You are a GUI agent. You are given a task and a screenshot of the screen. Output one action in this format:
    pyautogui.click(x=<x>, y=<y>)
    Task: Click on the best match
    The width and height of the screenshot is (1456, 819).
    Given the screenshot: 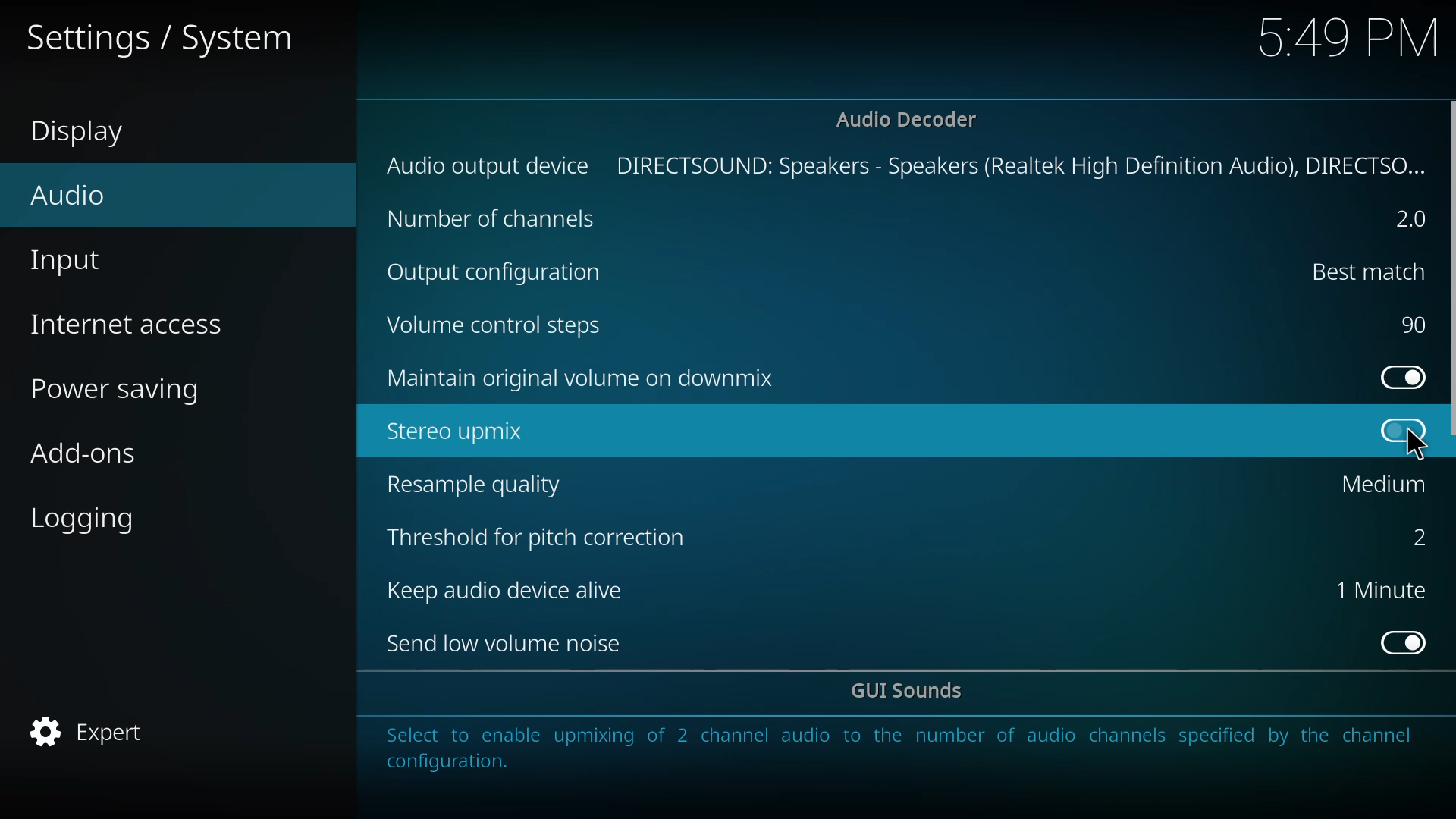 What is the action you would take?
    pyautogui.click(x=1363, y=271)
    